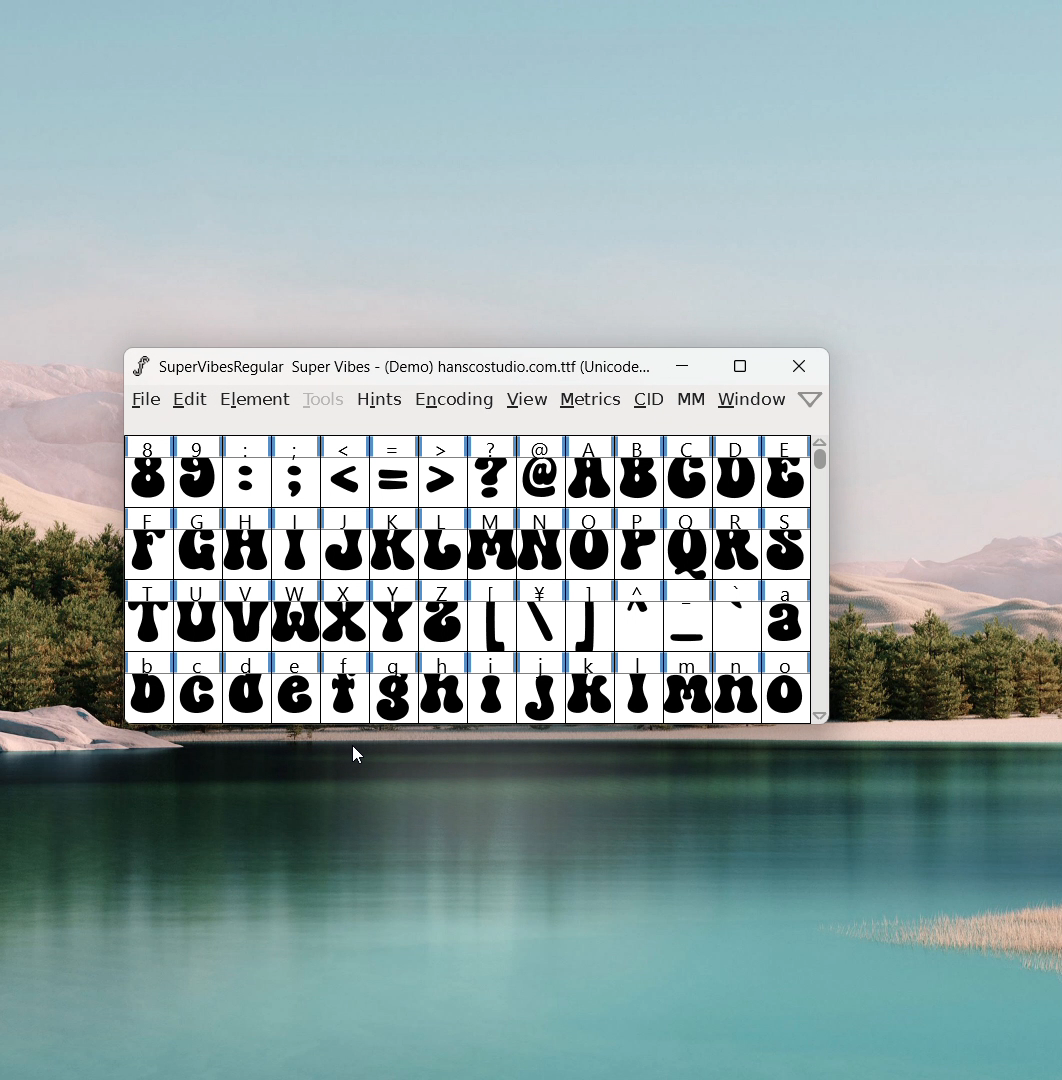 Image resolution: width=1062 pixels, height=1080 pixels. What do you see at coordinates (444, 616) in the screenshot?
I see `Z` at bounding box center [444, 616].